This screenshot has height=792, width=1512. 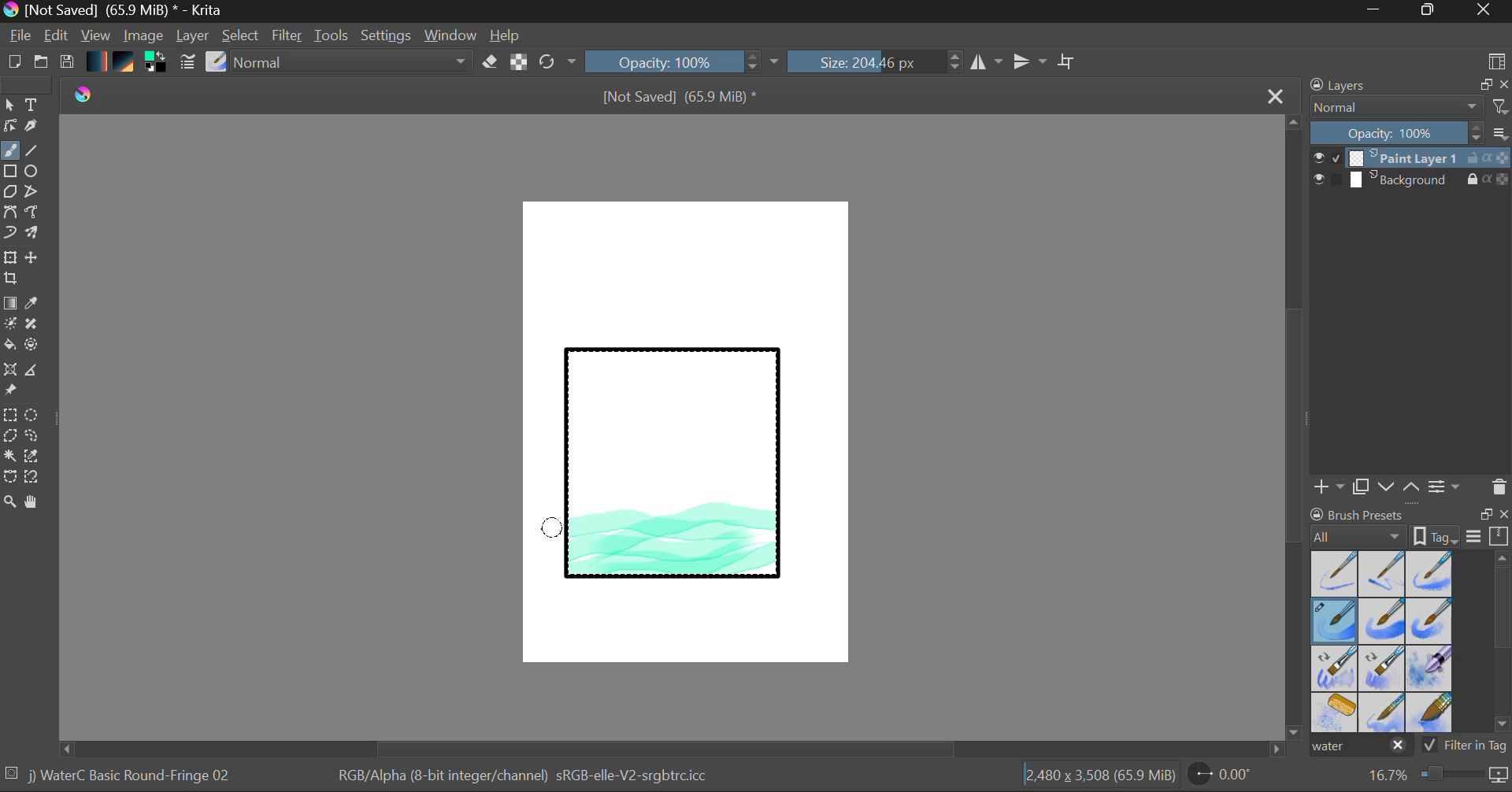 What do you see at coordinates (1412, 486) in the screenshot?
I see `Move Layer Up` at bounding box center [1412, 486].